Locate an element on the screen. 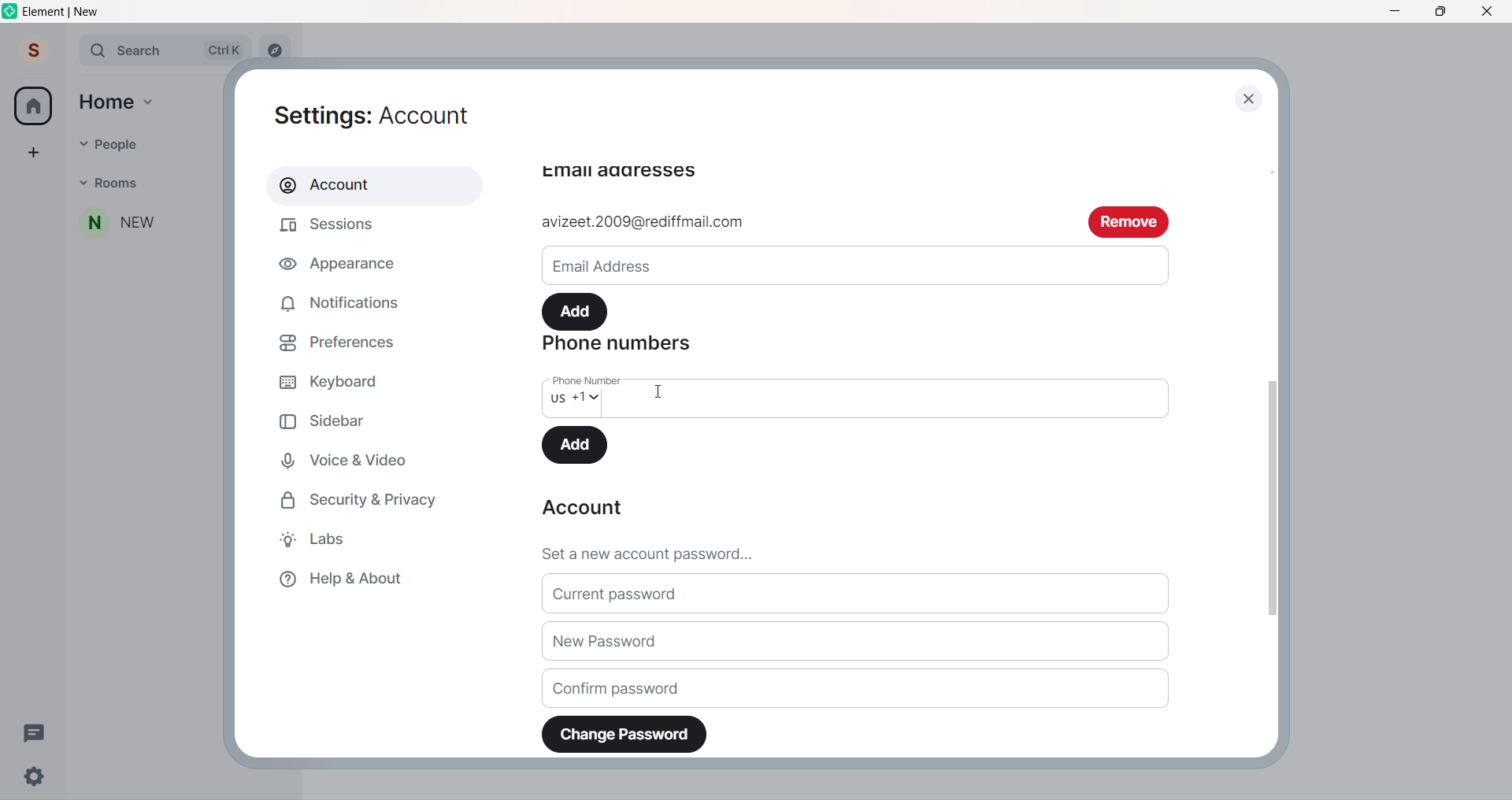  Close is located at coordinates (1488, 12).